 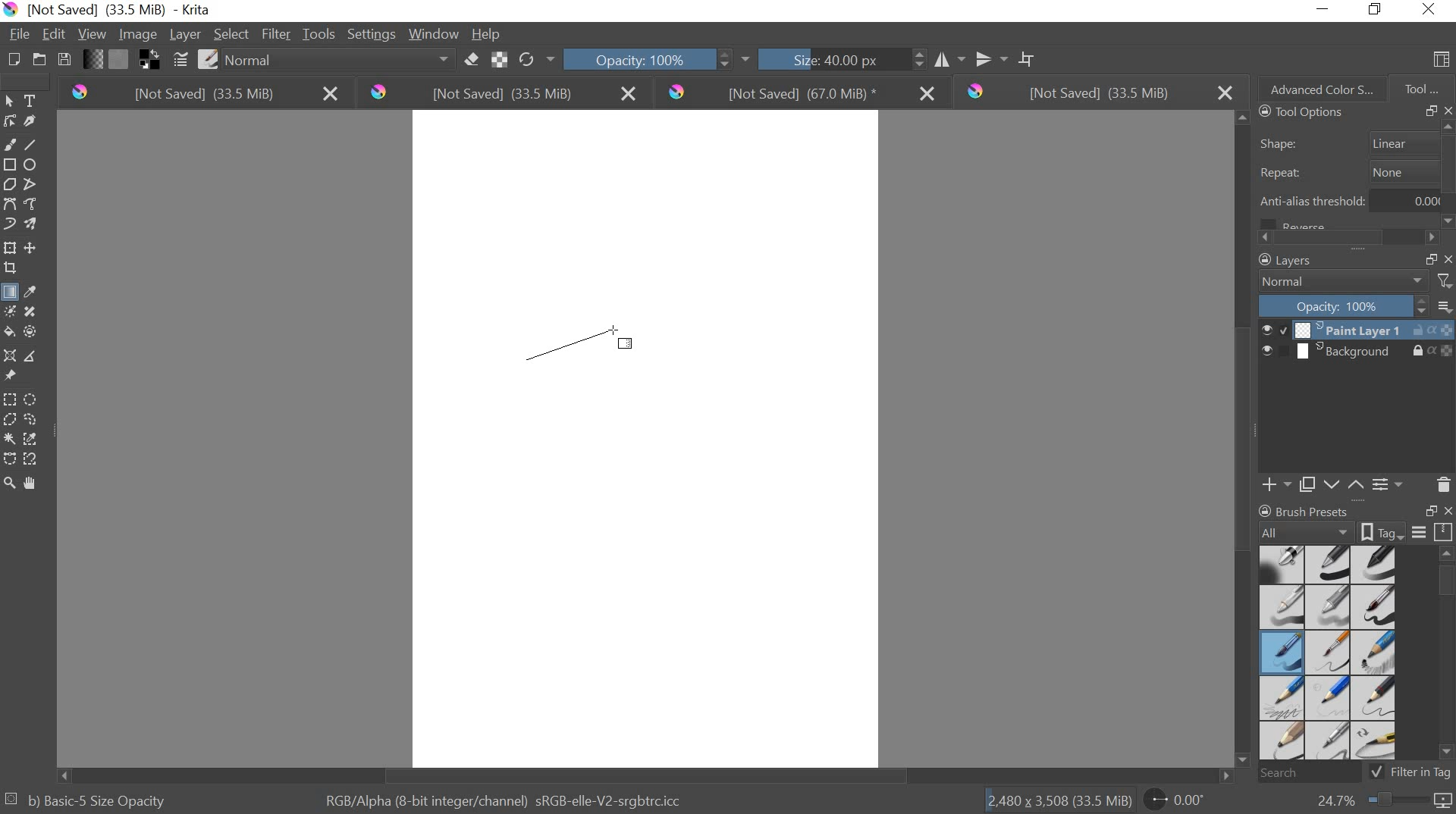 What do you see at coordinates (1274, 484) in the screenshot?
I see `ADD PAINT` at bounding box center [1274, 484].